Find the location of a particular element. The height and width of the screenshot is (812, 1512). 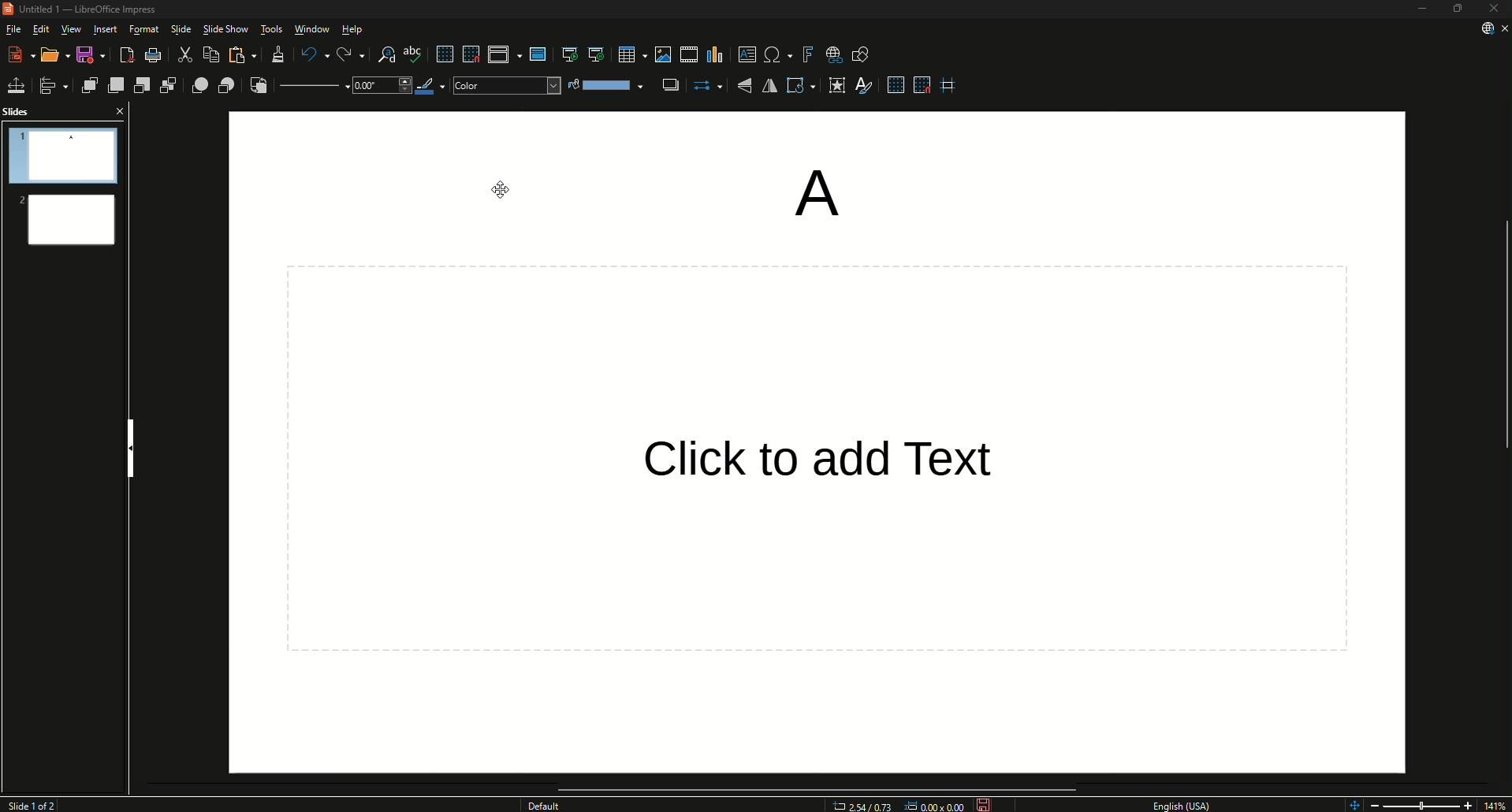

Insert Hyperlink is located at coordinates (835, 55).